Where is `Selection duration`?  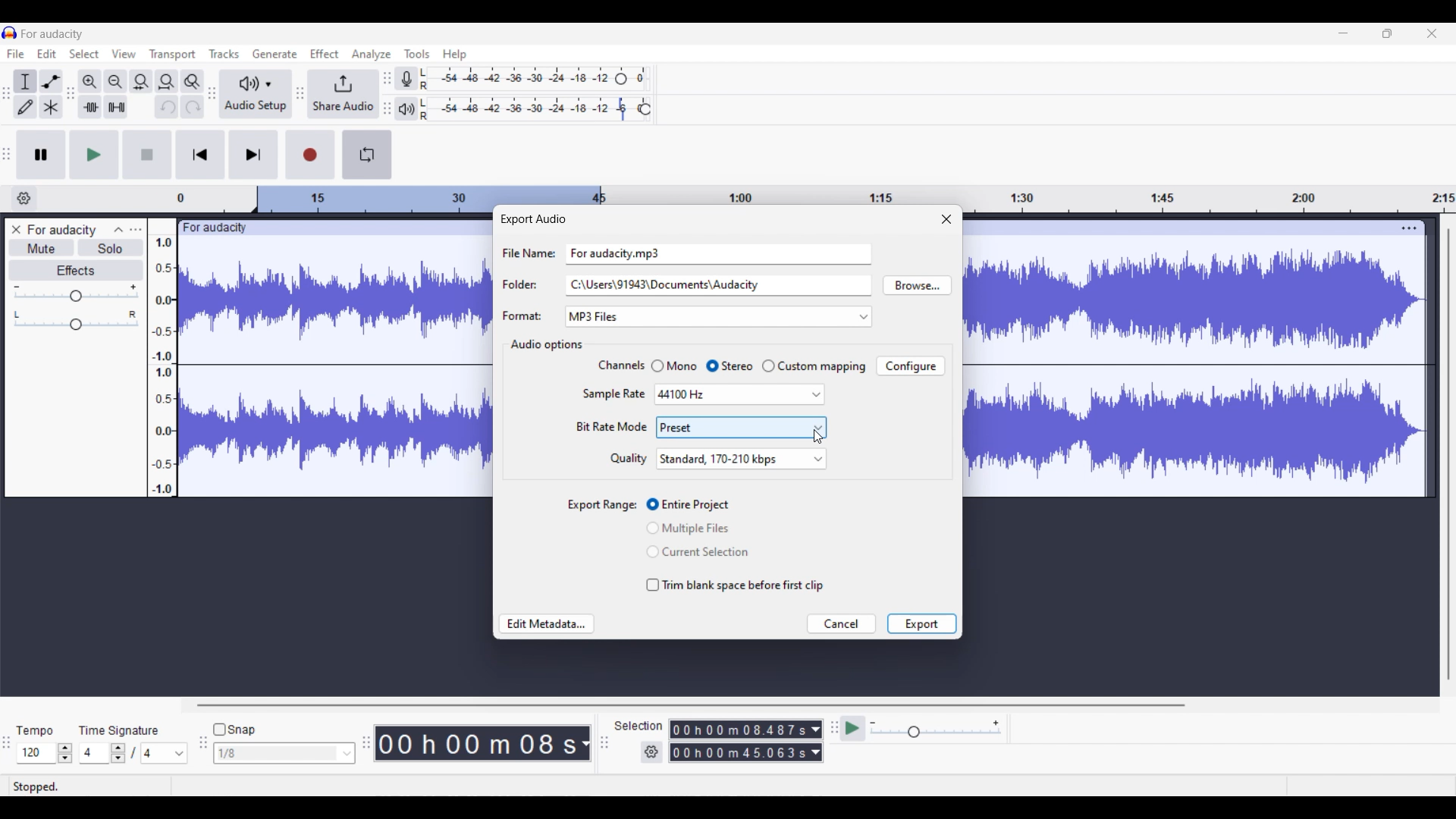 Selection duration is located at coordinates (739, 730).